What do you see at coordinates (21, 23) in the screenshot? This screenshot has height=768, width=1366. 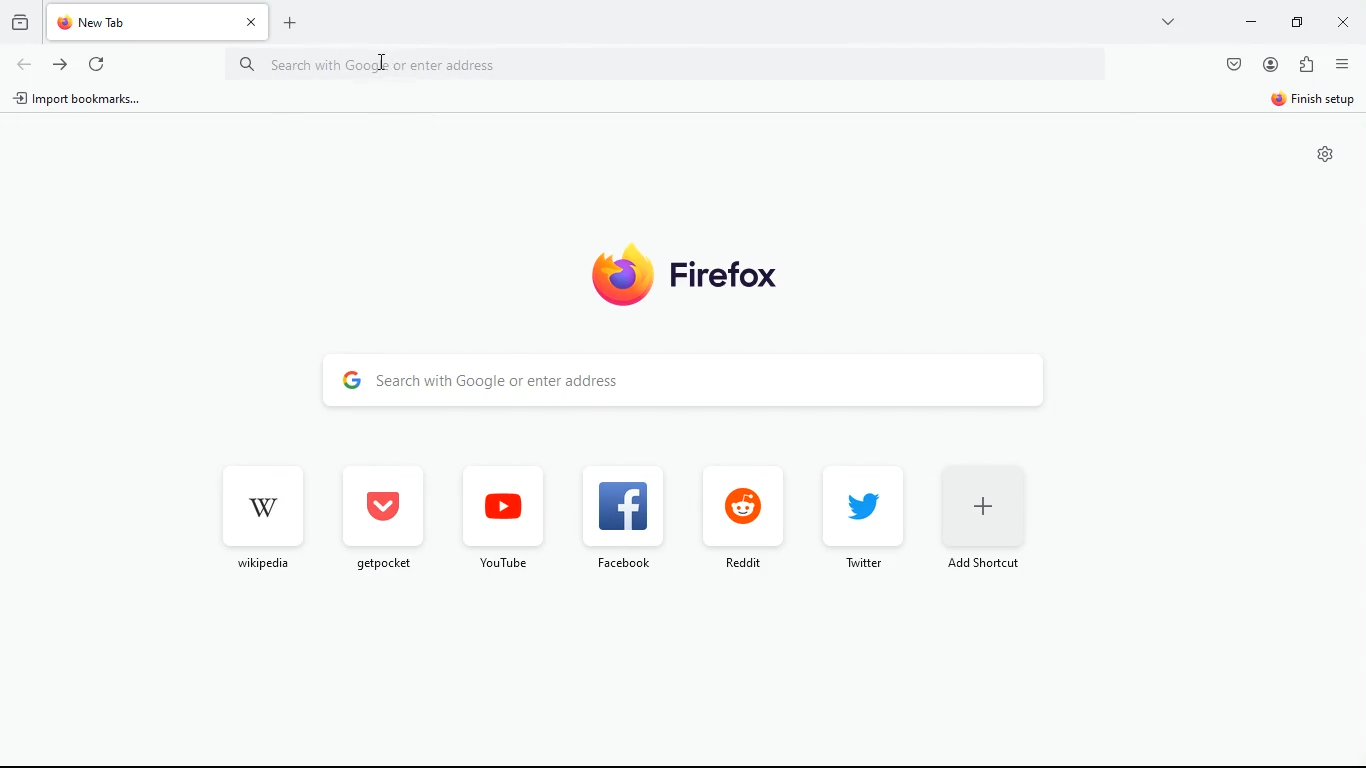 I see `history` at bounding box center [21, 23].